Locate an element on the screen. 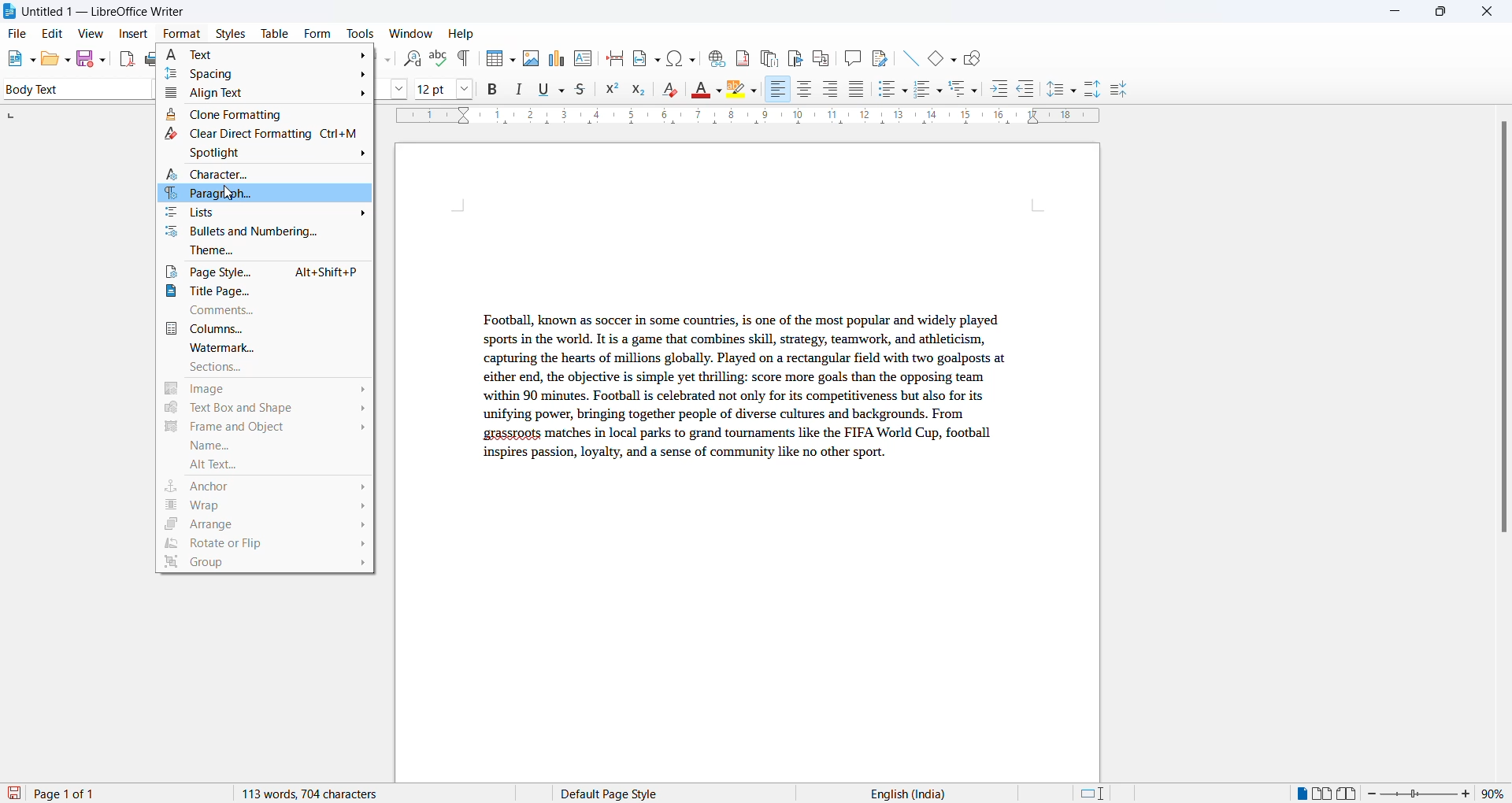  total page and current page is located at coordinates (79, 794).